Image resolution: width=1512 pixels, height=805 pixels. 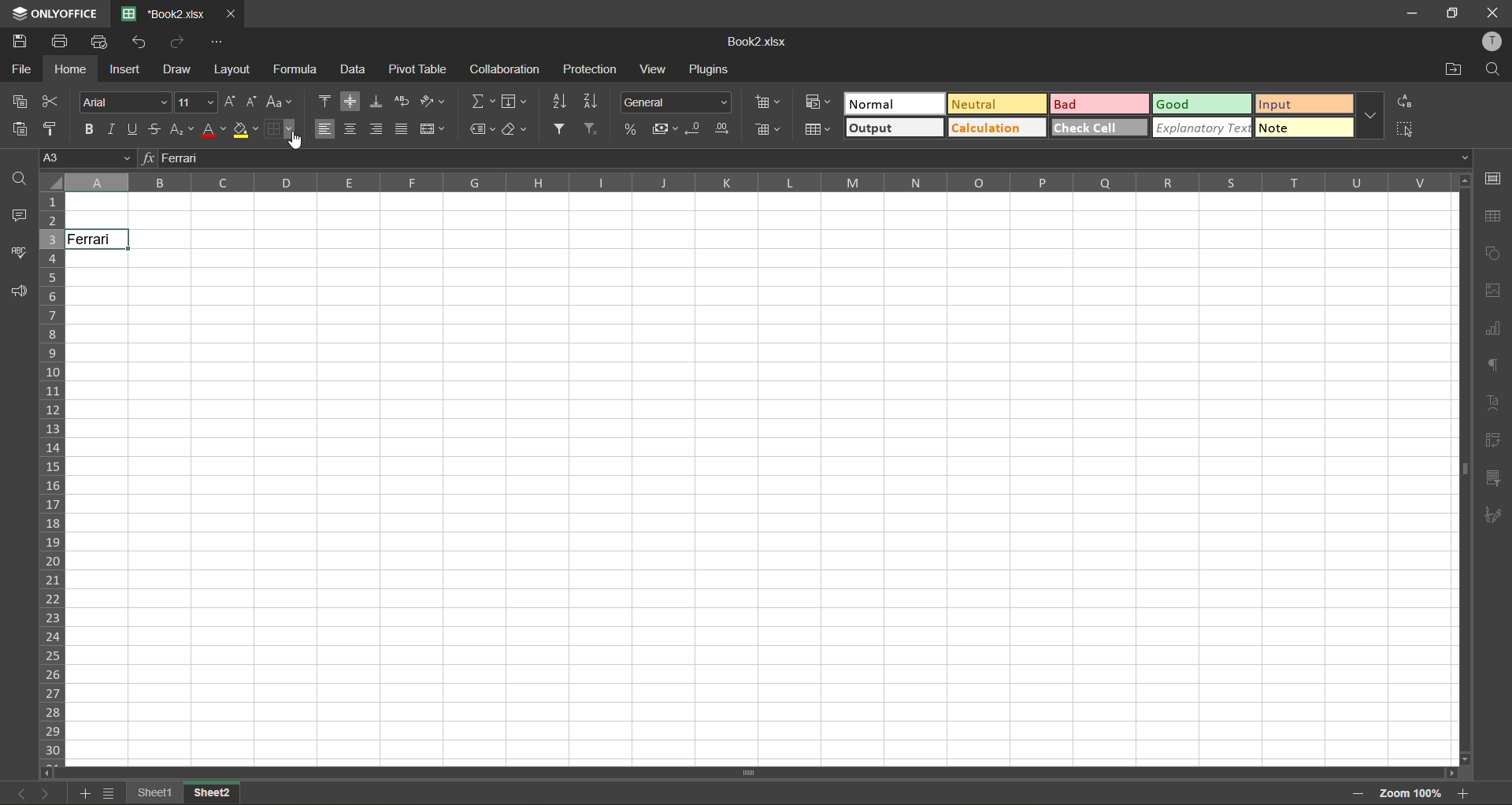 What do you see at coordinates (354, 71) in the screenshot?
I see `data` at bounding box center [354, 71].